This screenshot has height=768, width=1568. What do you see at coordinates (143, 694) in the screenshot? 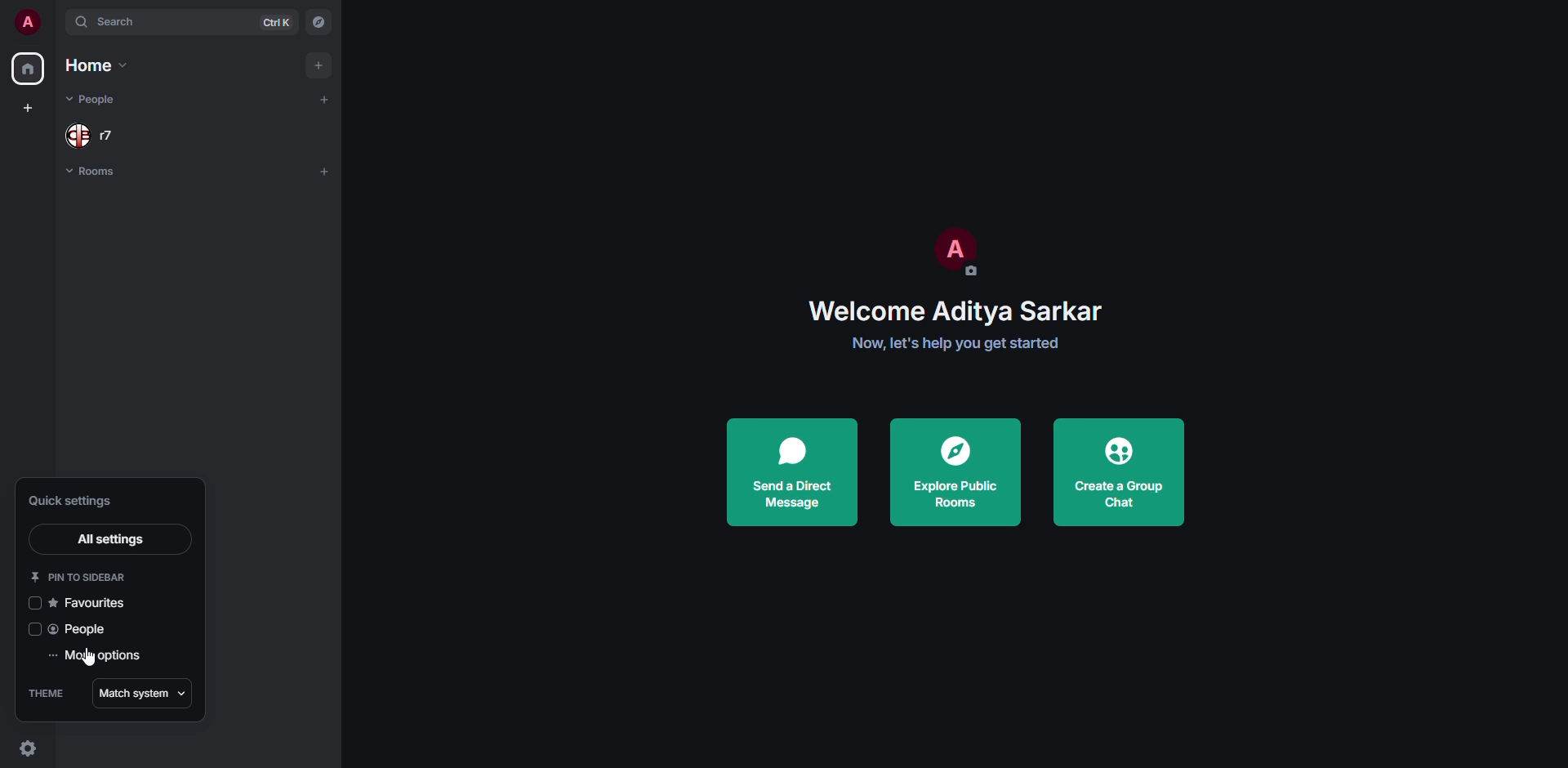
I see `match system` at bounding box center [143, 694].